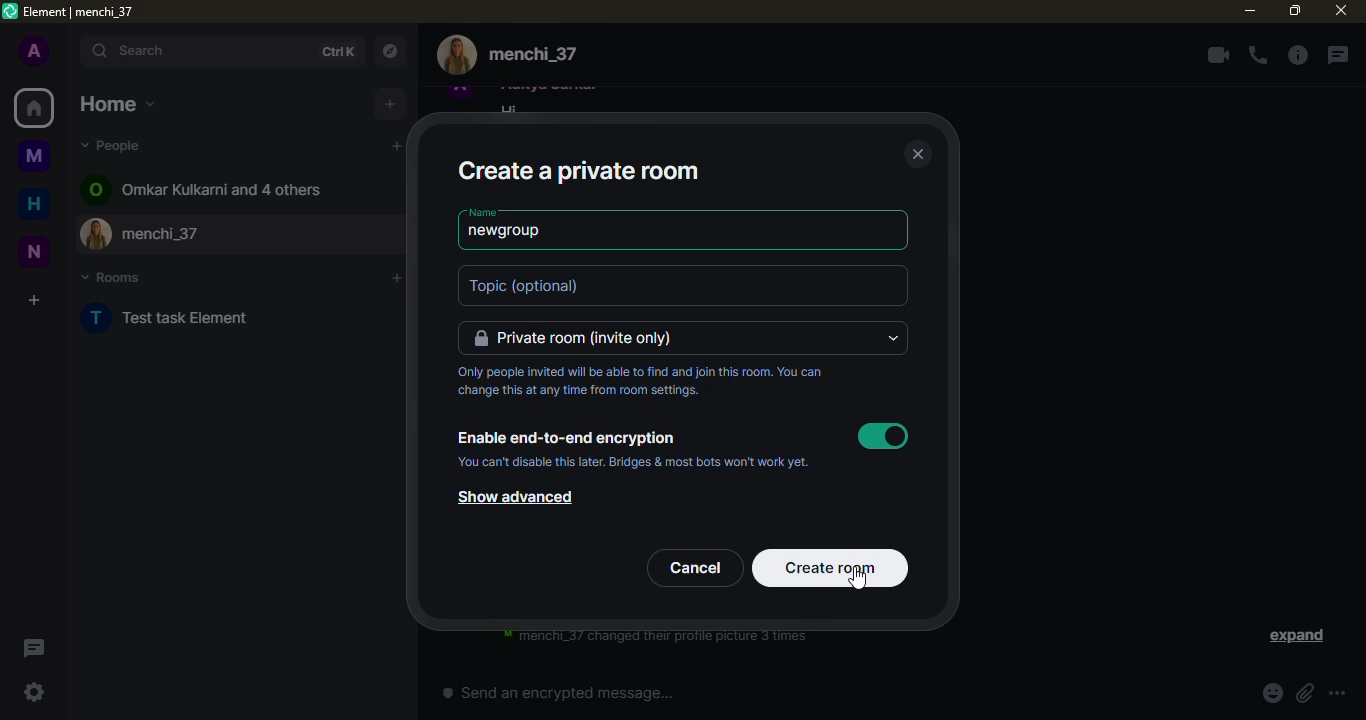 Image resolution: width=1366 pixels, height=720 pixels. Describe the element at coordinates (695, 568) in the screenshot. I see `cancel` at that location.